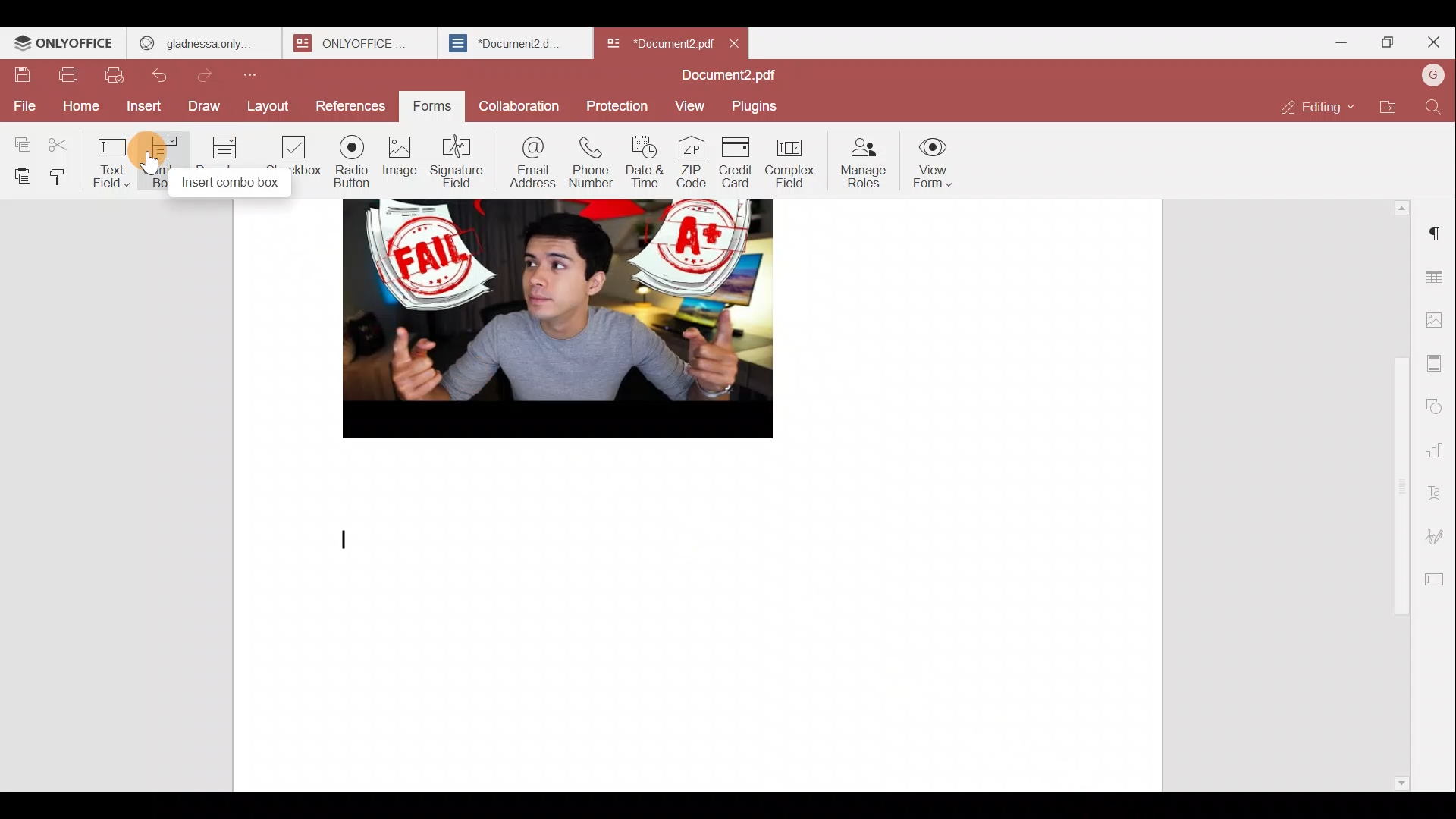 Image resolution: width=1456 pixels, height=819 pixels. I want to click on Text field, so click(117, 165).